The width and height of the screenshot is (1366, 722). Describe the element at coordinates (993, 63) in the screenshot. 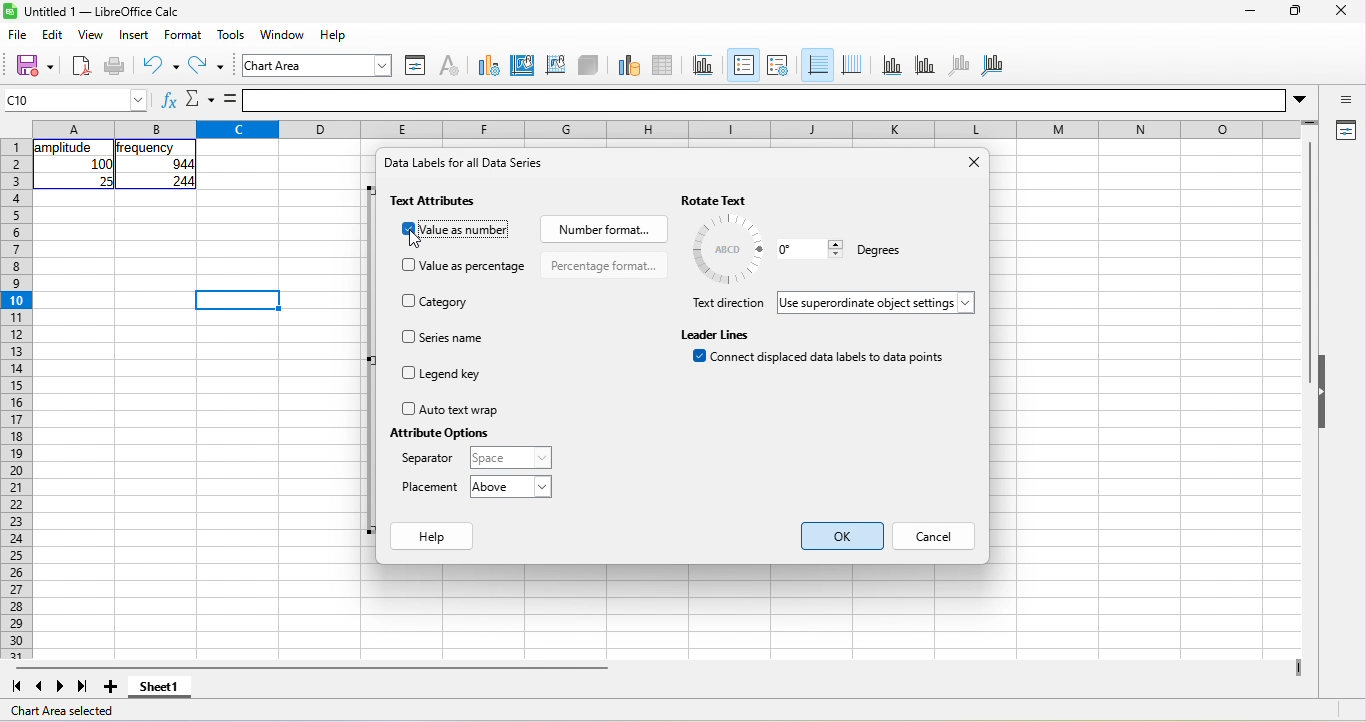

I see `all axes` at that location.